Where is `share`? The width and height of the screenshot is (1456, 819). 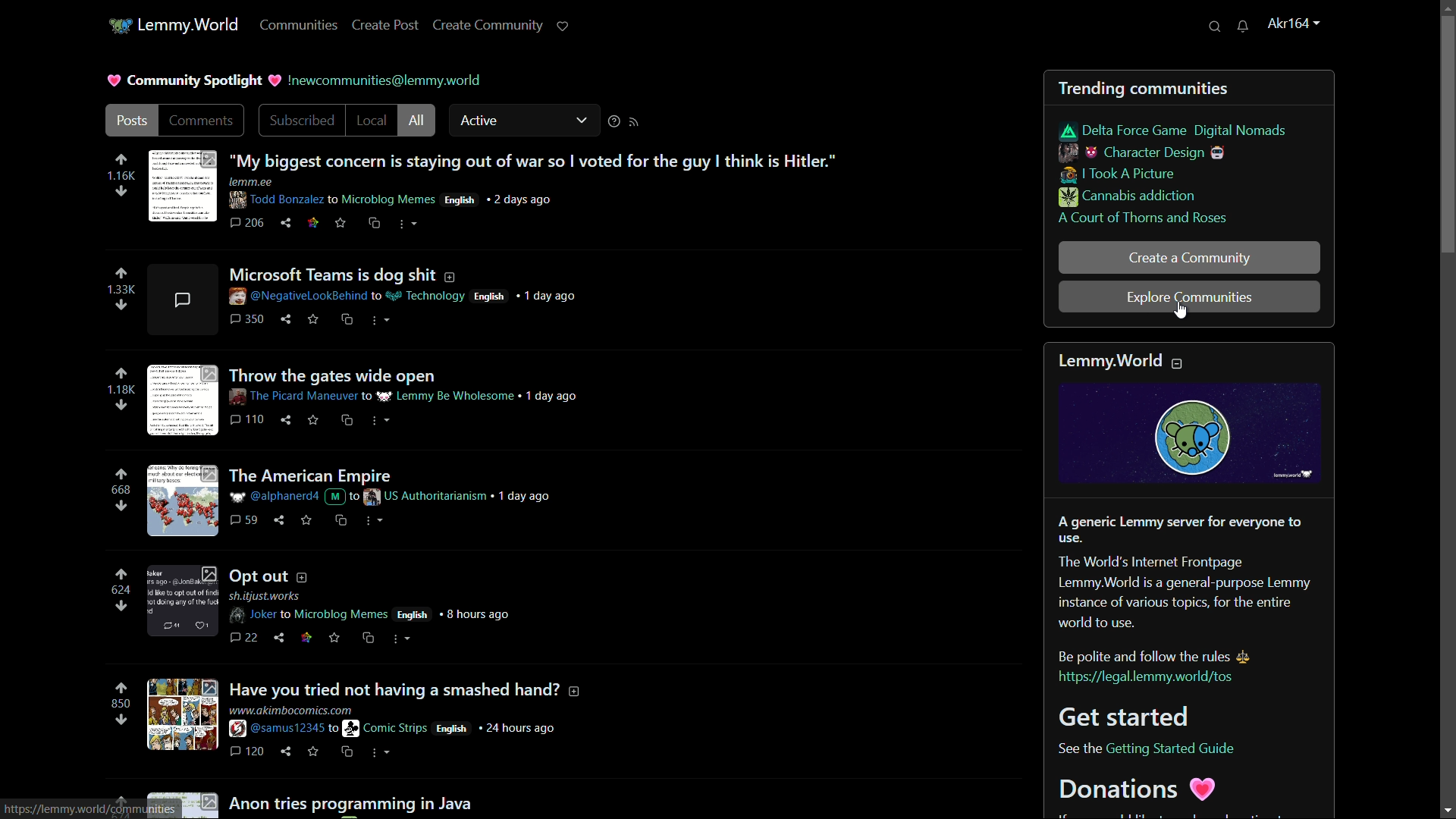 share is located at coordinates (281, 519).